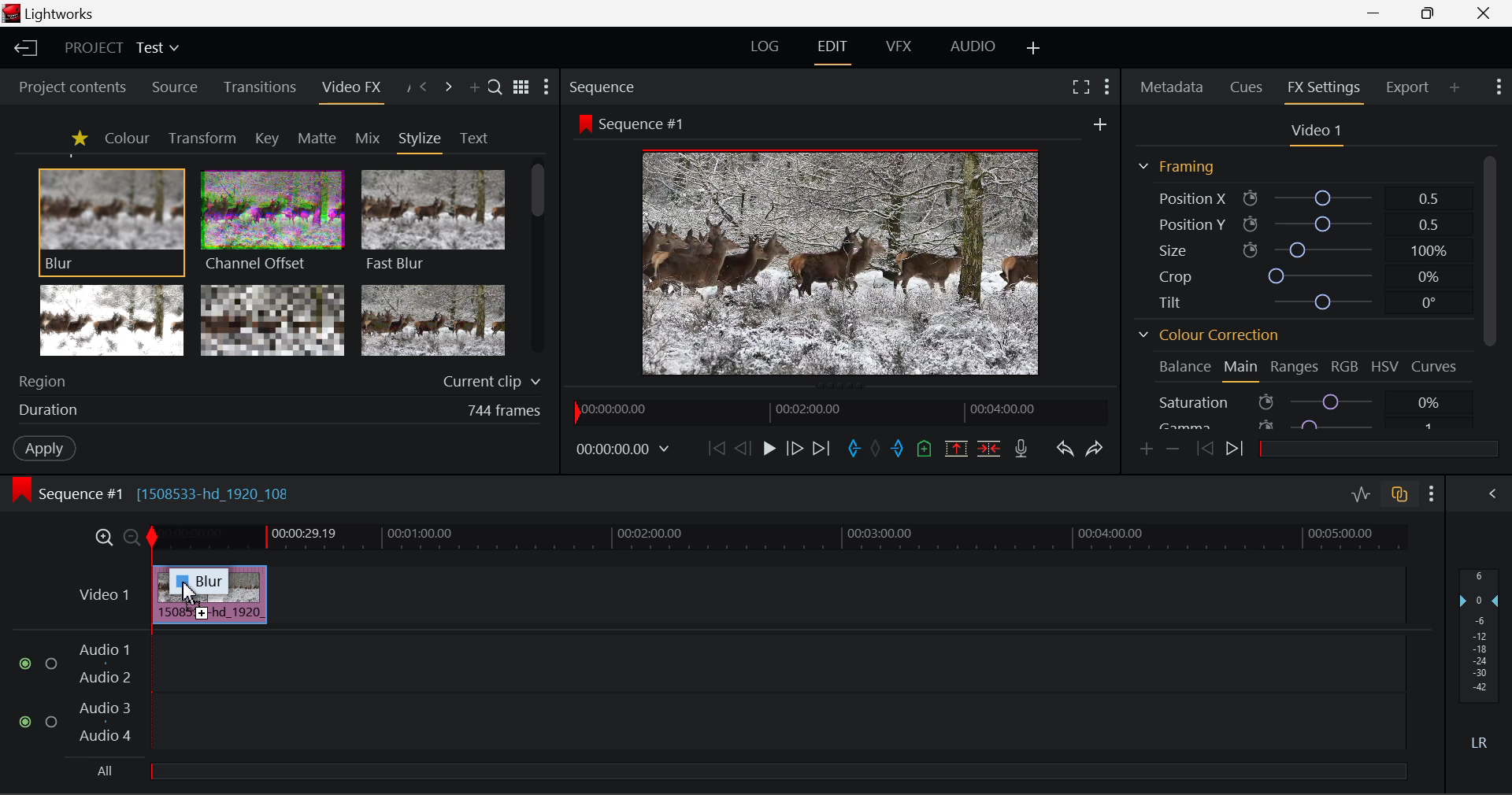 Image resolution: width=1512 pixels, height=795 pixels. Describe the element at coordinates (172, 86) in the screenshot. I see `Source` at that location.